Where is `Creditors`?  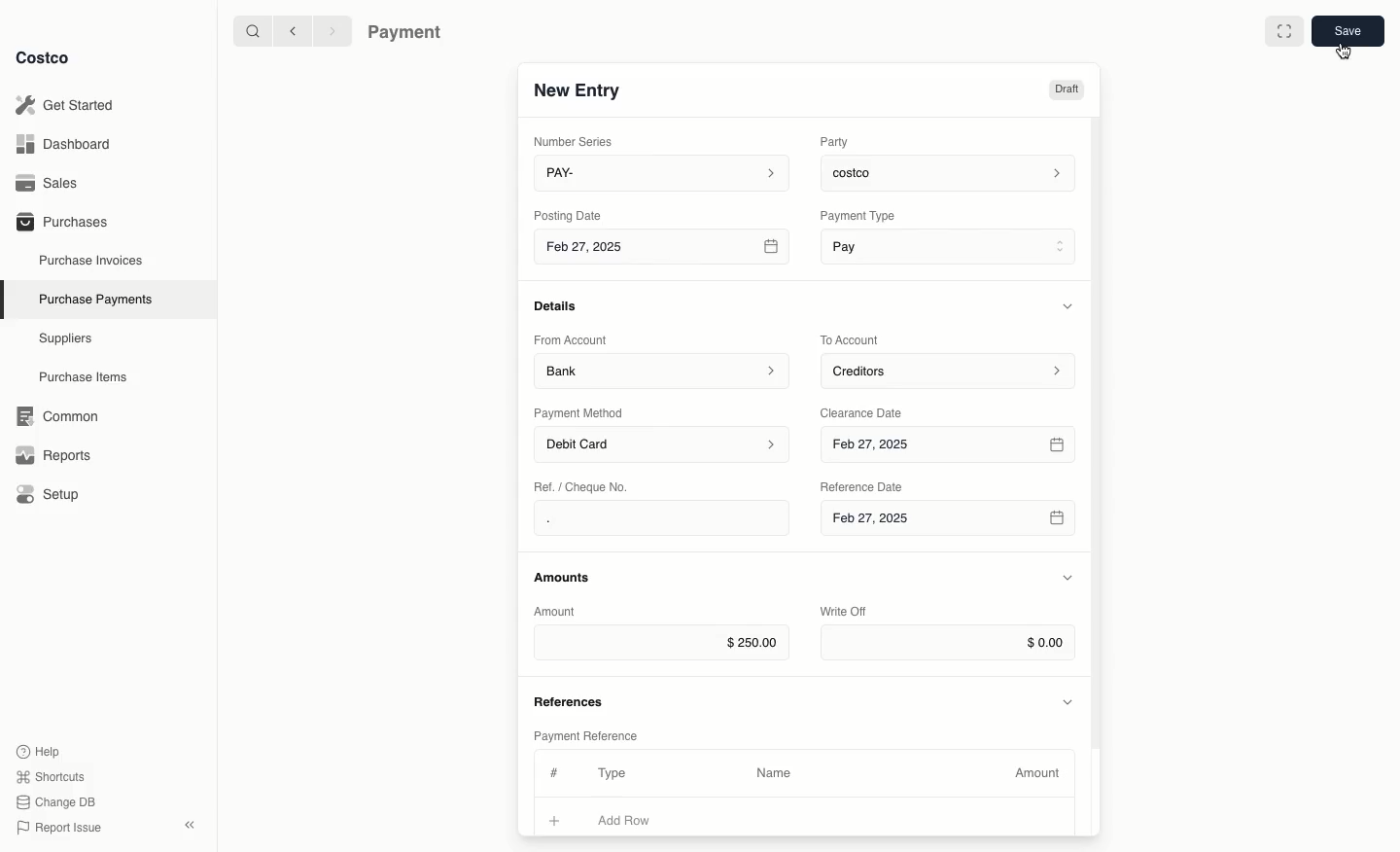
Creditors is located at coordinates (951, 370).